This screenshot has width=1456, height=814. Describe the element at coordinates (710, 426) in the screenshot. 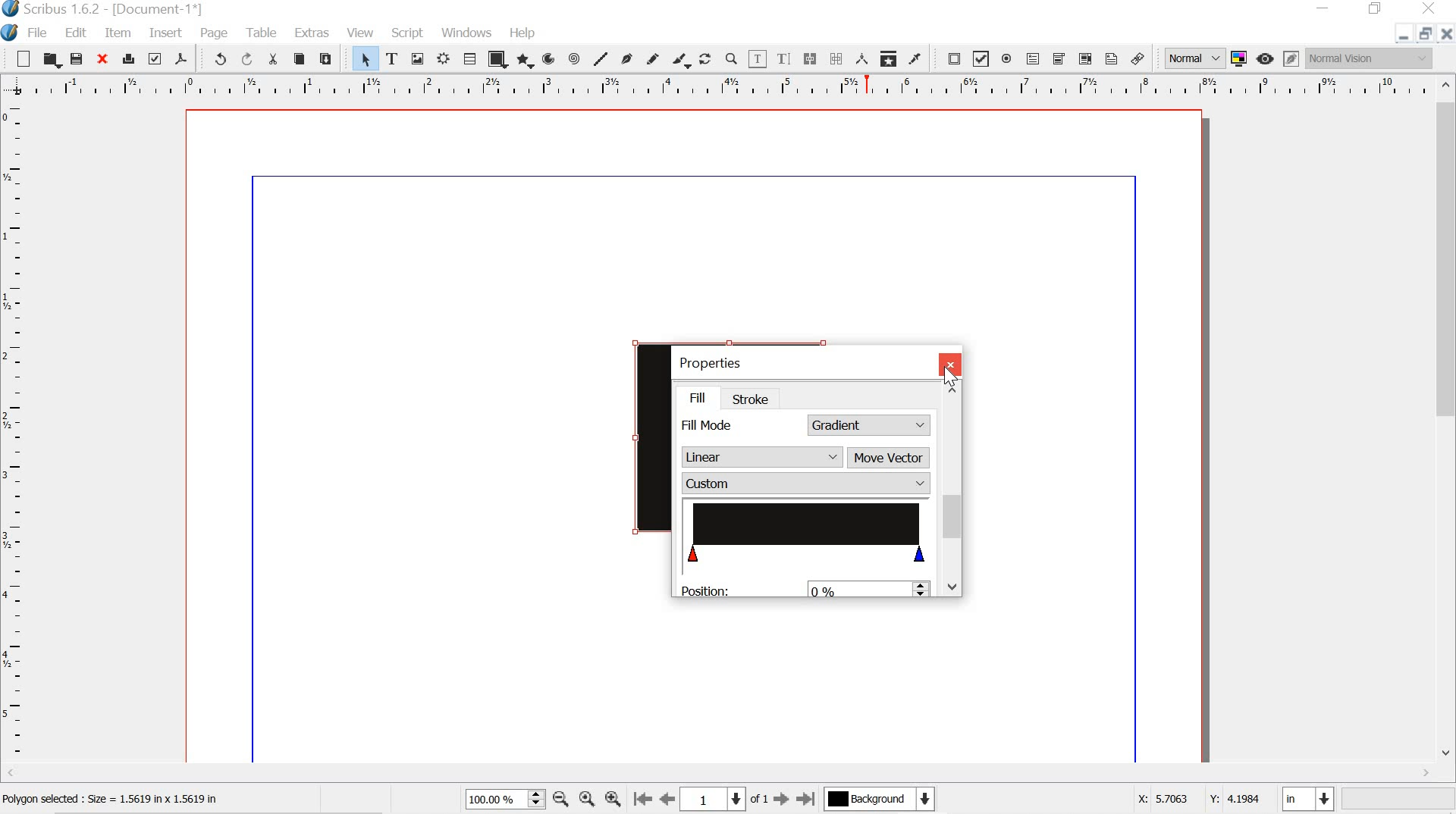

I see `fill mode` at that location.